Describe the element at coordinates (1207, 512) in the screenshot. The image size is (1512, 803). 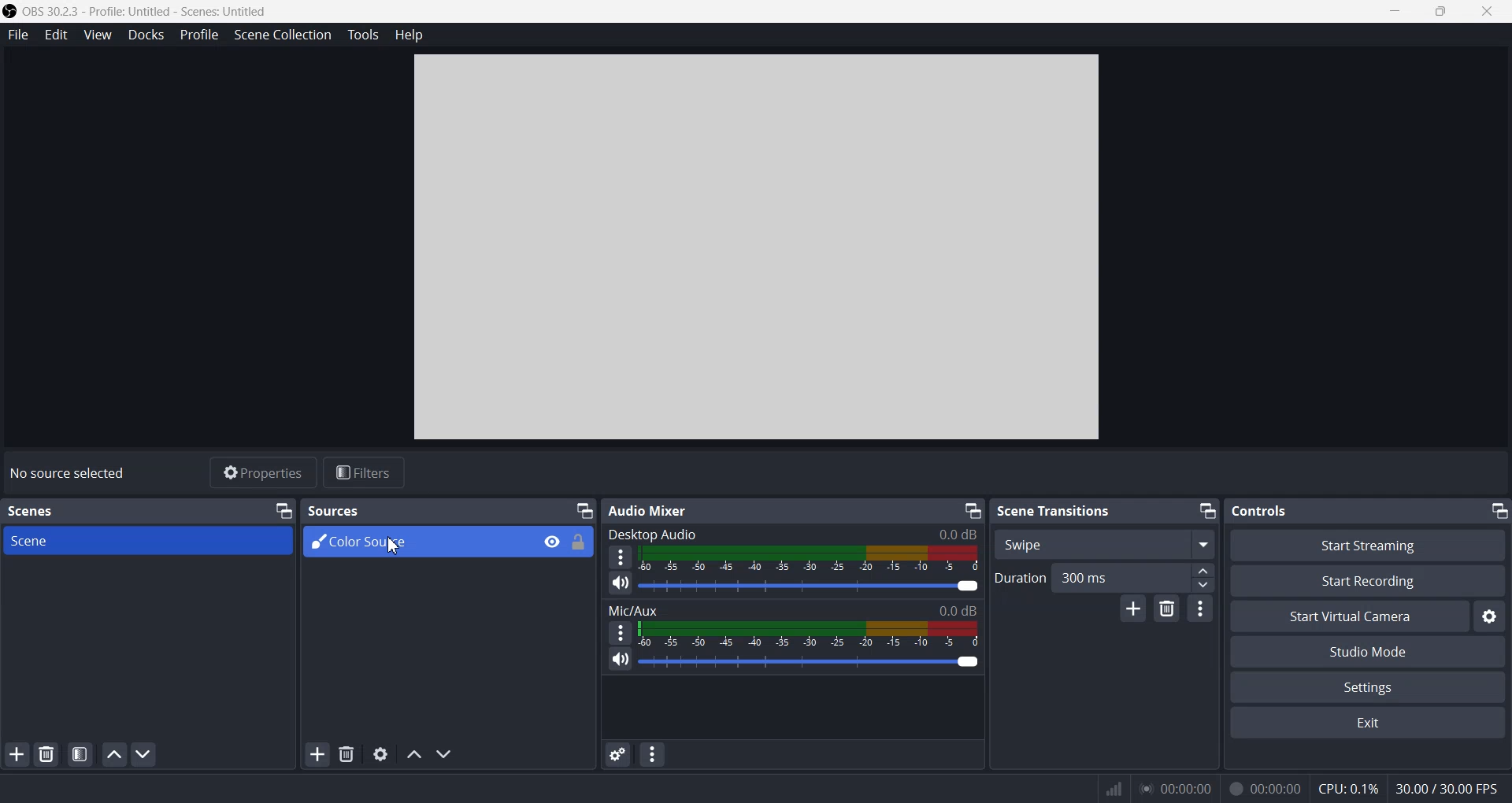
I see `Minimize` at that location.